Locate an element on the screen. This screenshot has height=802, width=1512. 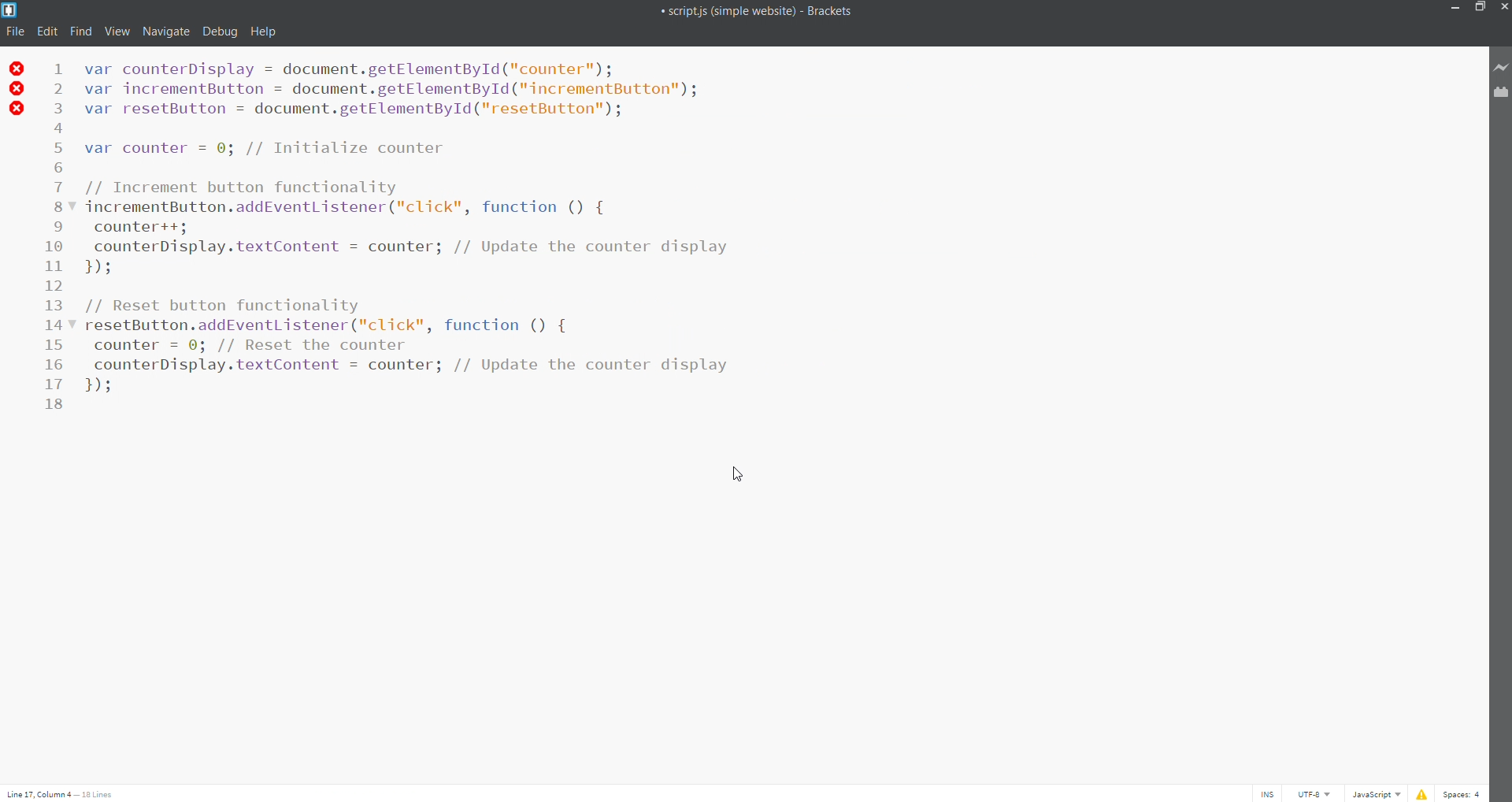
close is located at coordinates (1503, 9).